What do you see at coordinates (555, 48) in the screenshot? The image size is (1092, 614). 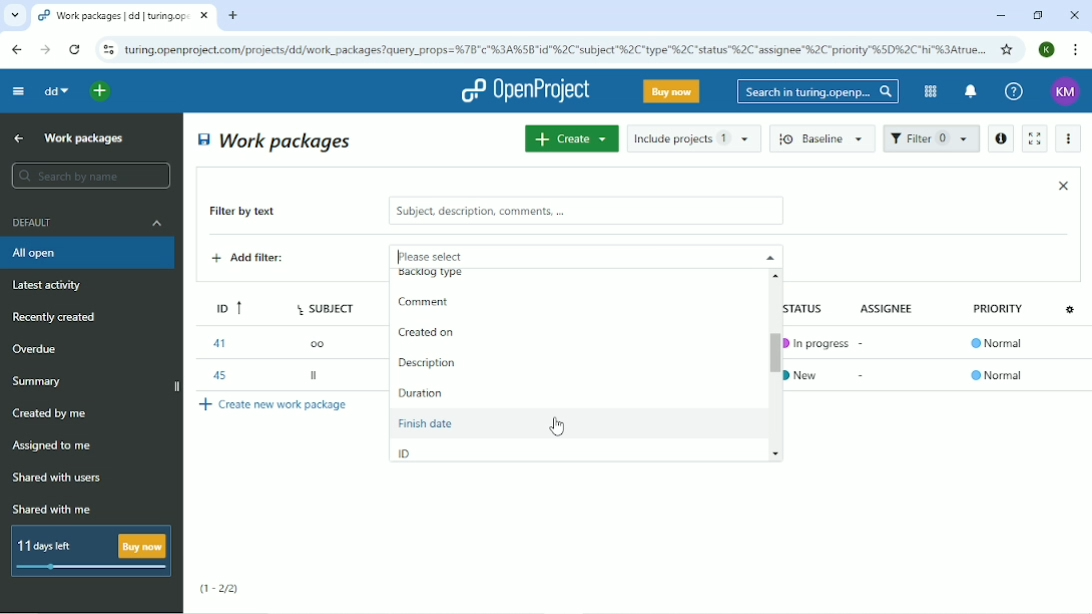 I see `Site address` at bounding box center [555, 48].